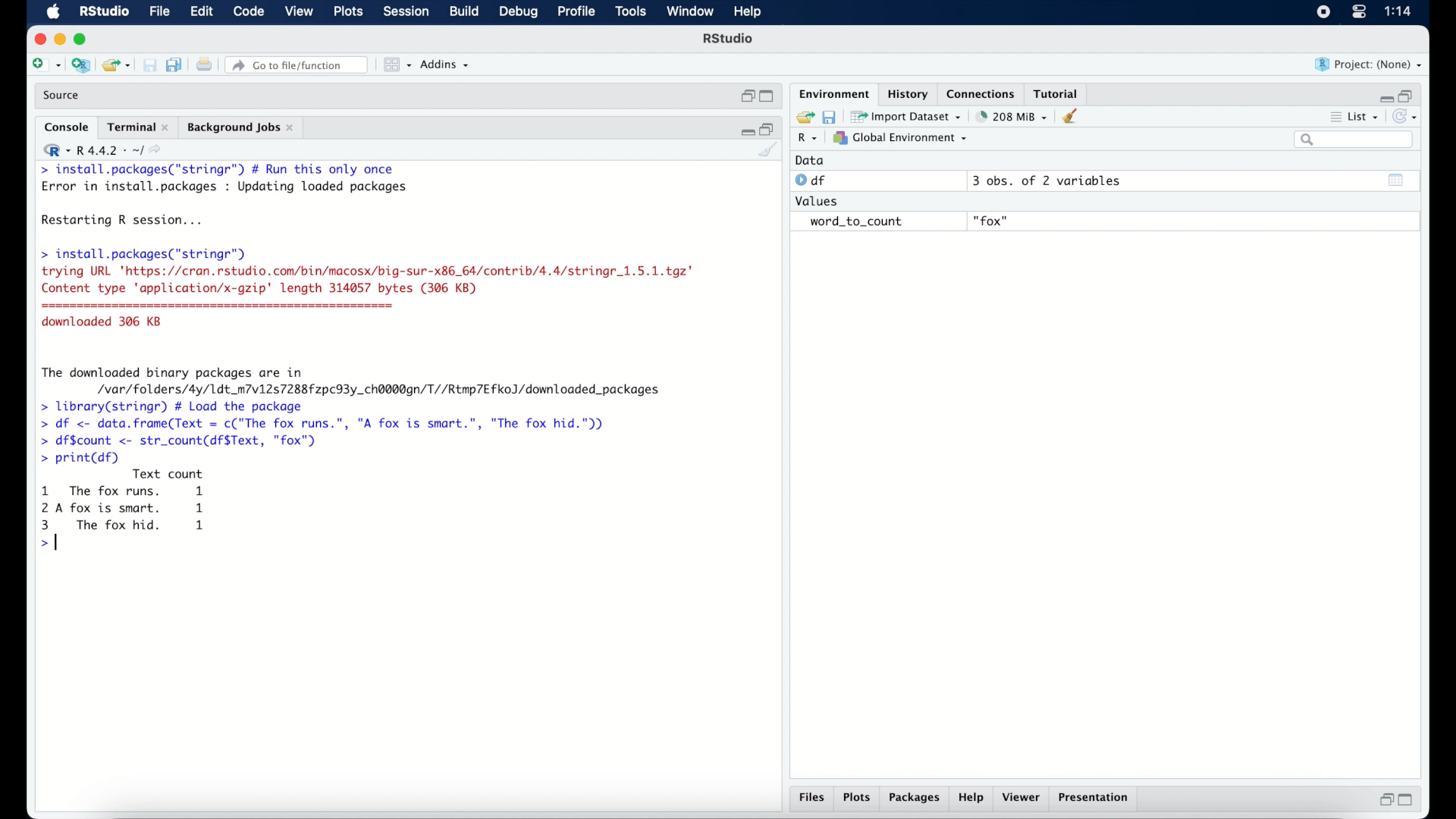 This screenshot has width=1456, height=819. What do you see at coordinates (1407, 117) in the screenshot?
I see `refresh` at bounding box center [1407, 117].